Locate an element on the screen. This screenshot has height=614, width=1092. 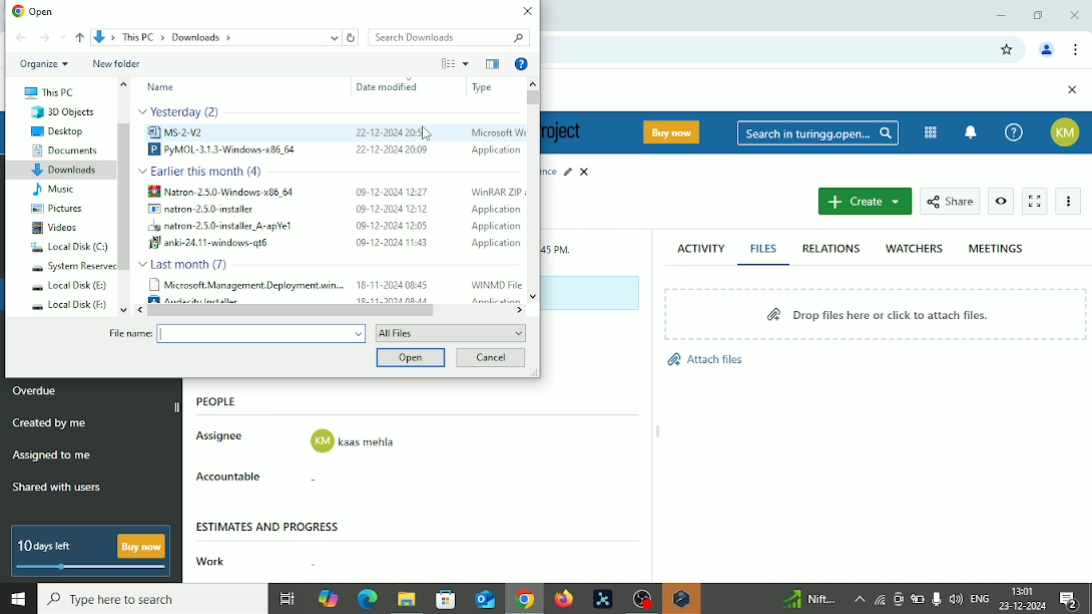
move up is located at coordinates (123, 84).